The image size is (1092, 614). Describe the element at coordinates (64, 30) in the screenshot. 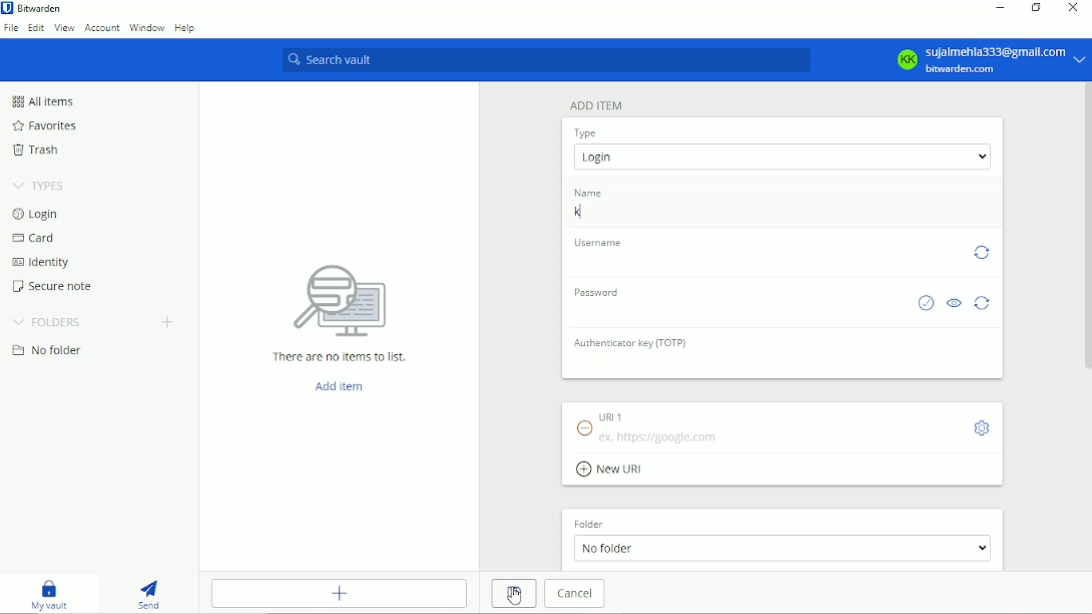

I see `View` at that location.